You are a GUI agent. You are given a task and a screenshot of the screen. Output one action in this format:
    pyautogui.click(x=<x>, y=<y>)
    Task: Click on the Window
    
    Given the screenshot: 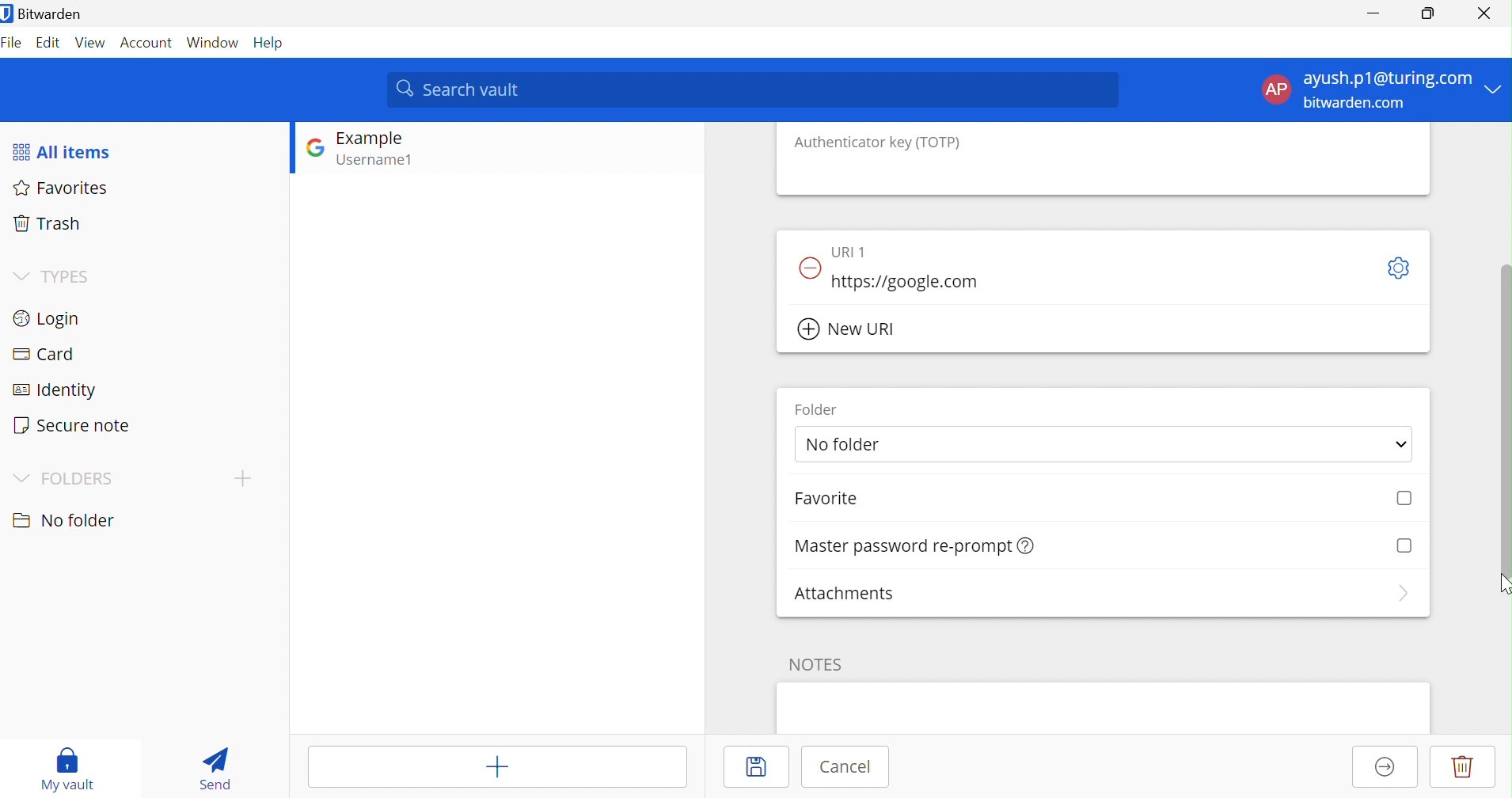 What is the action you would take?
    pyautogui.click(x=213, y=42)
    